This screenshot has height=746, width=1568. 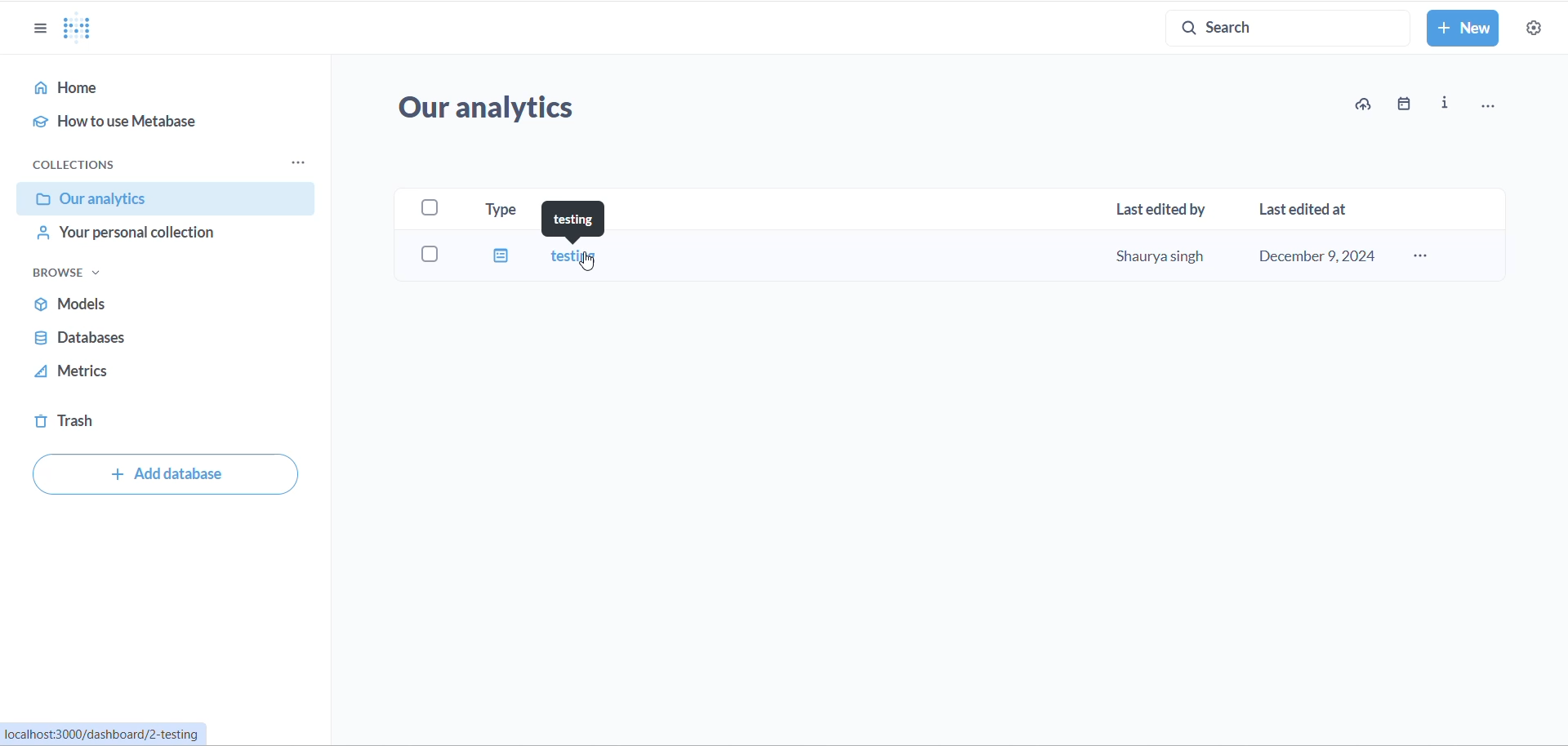 What do you see at coordinates (1448, 104) in the screenshot?
I see `info` at bounding box center [1448, 104].